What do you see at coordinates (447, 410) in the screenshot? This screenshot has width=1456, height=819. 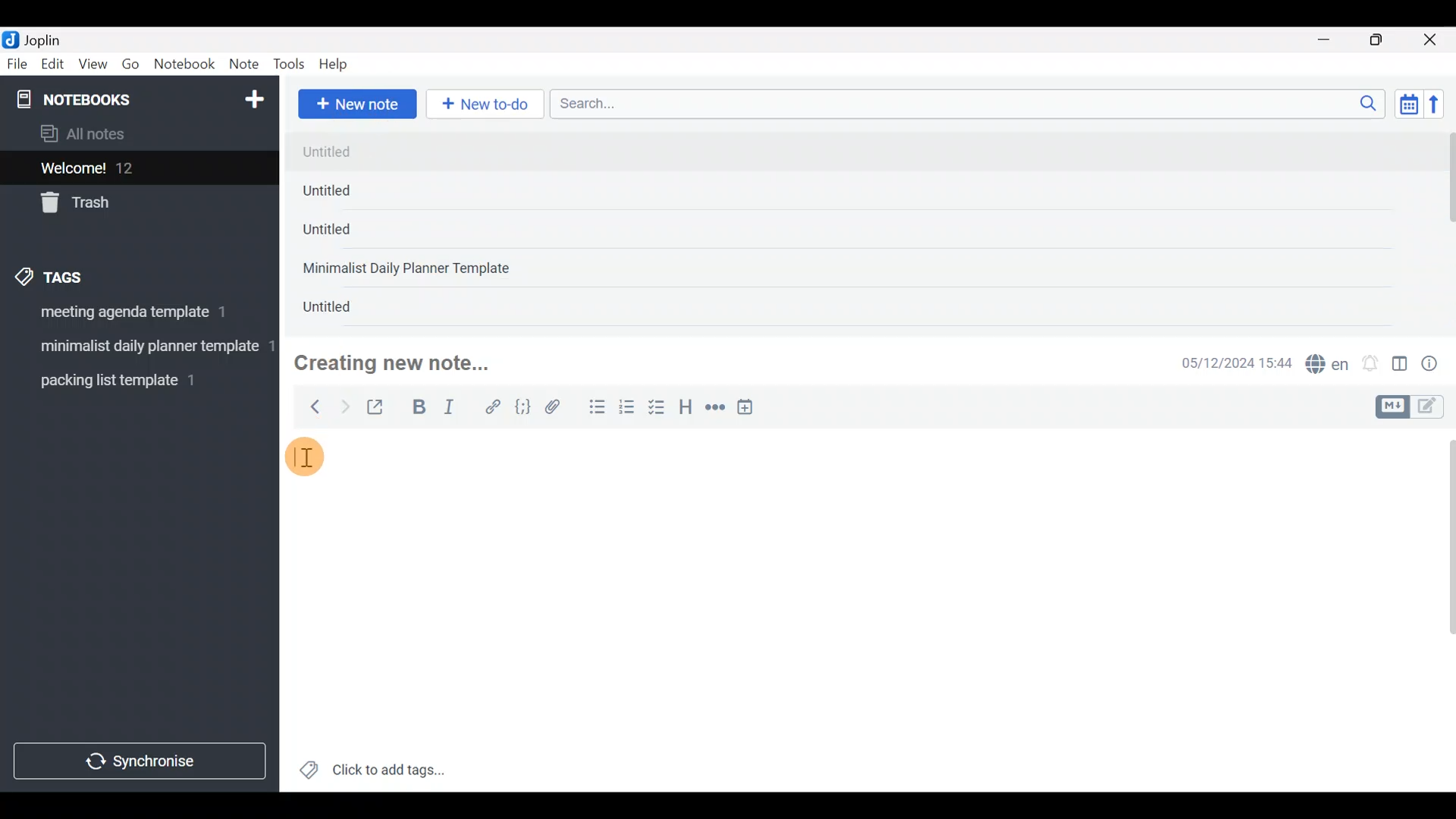 I see `Italic` at bounding box center [447, 410].